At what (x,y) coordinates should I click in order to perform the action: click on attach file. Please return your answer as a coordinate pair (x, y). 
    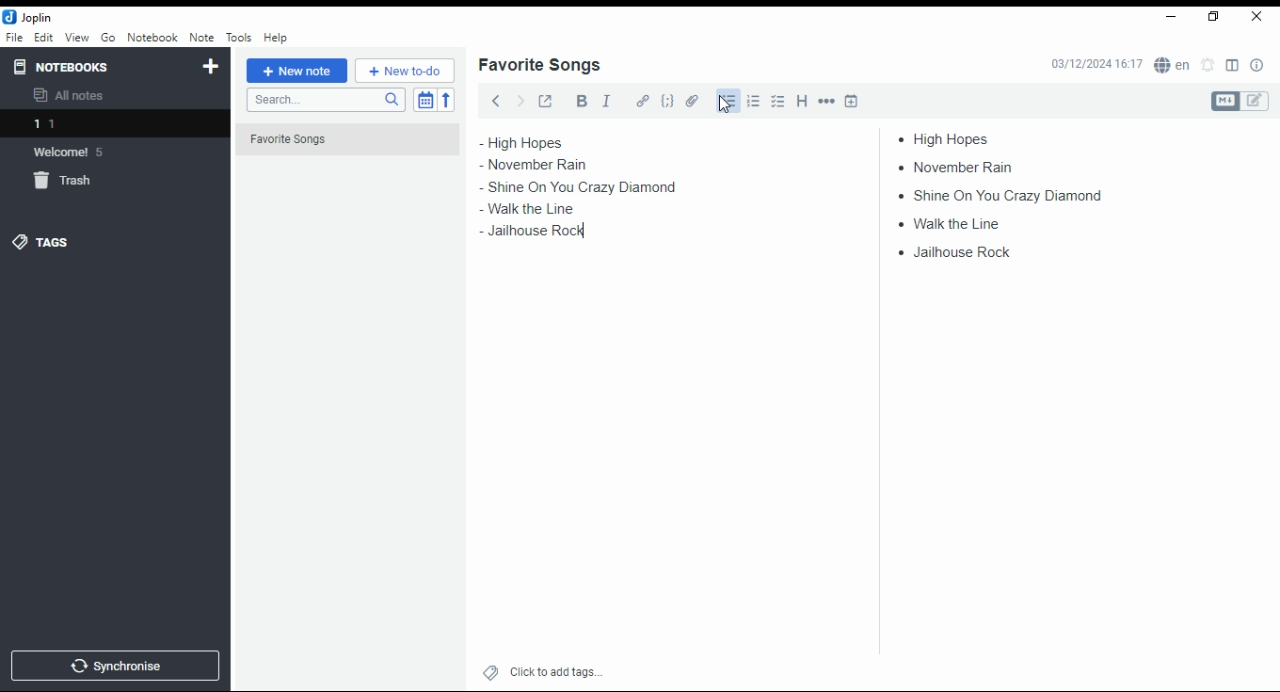
    Looking at the image, I should click on (693, 100).